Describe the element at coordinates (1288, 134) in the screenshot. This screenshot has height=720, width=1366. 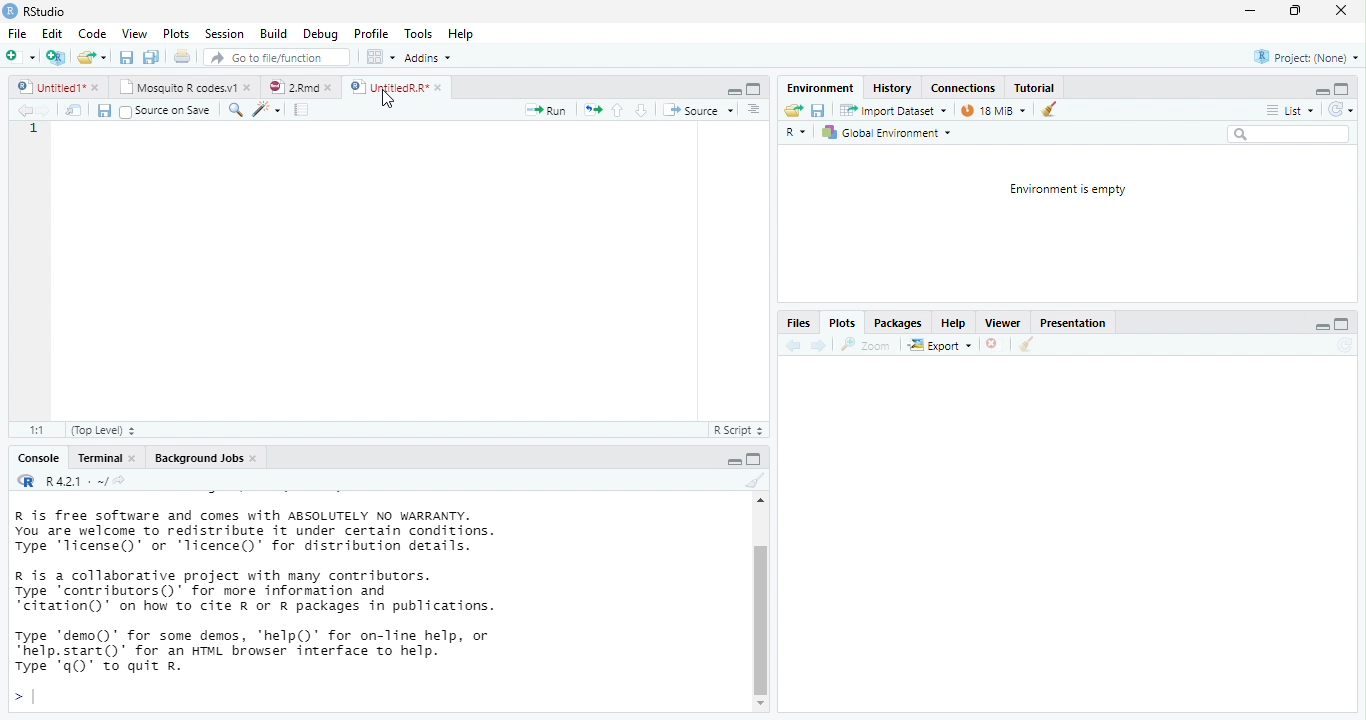
I see `search` at that location.